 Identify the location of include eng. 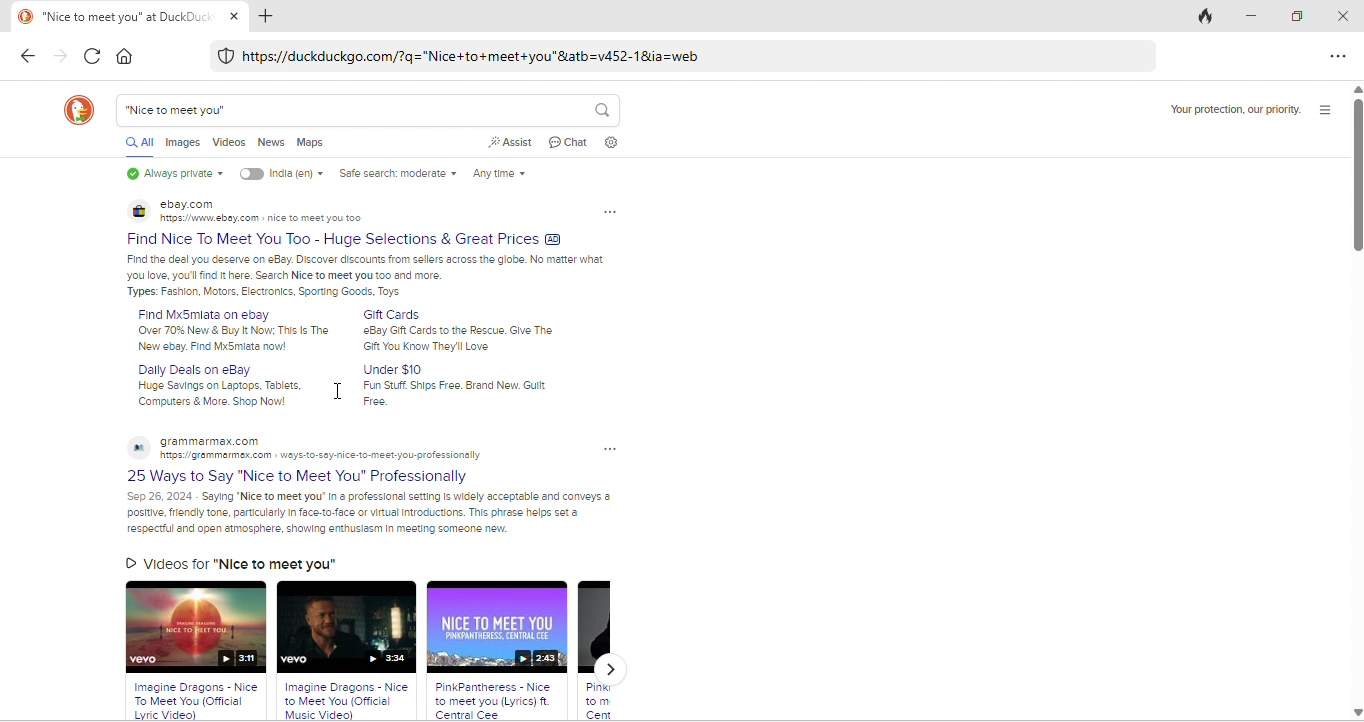
(282, 174).